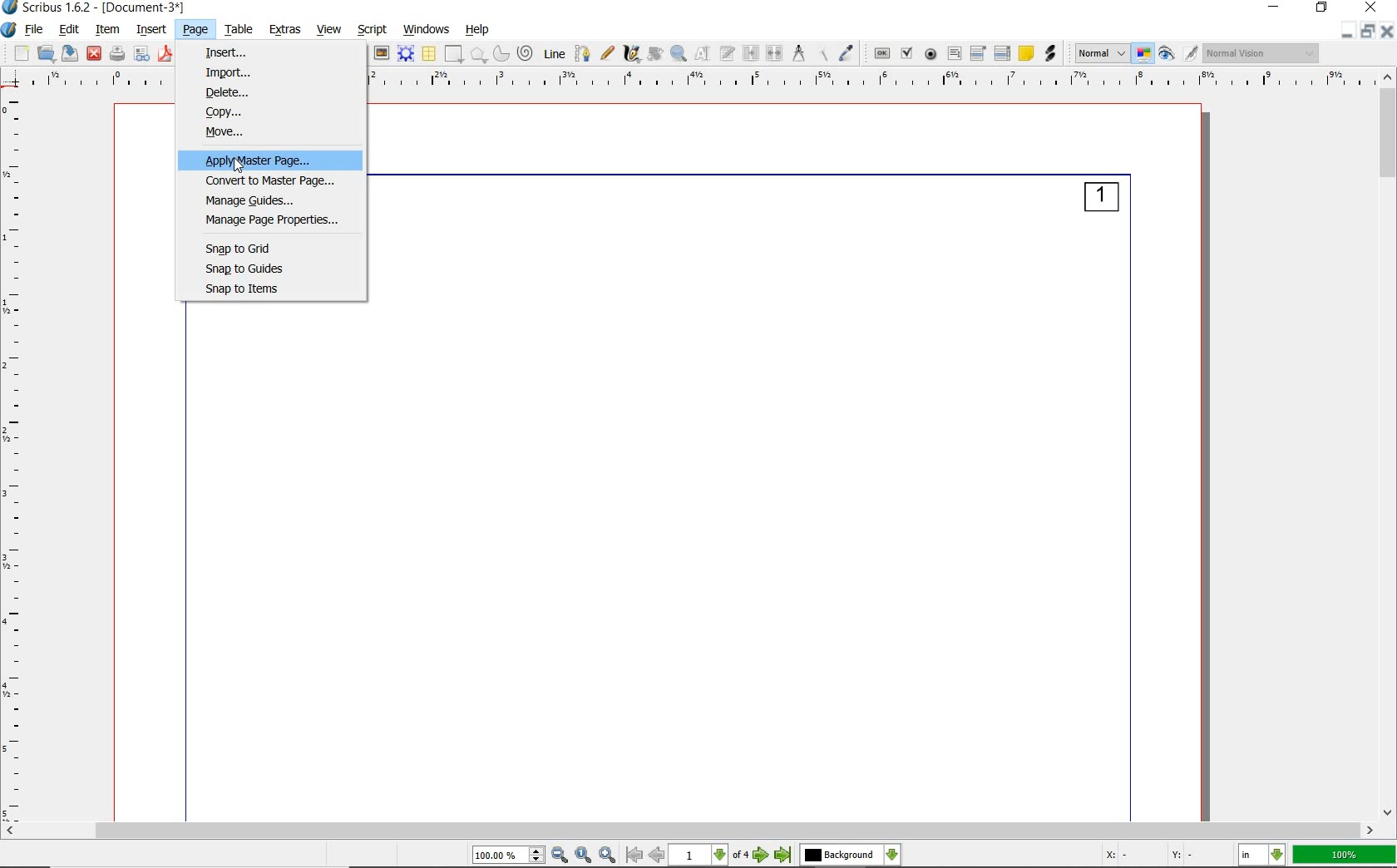 The width and height of the screenshot is (1397, 868). I want to click on calligraphic line, so click(632, 55).